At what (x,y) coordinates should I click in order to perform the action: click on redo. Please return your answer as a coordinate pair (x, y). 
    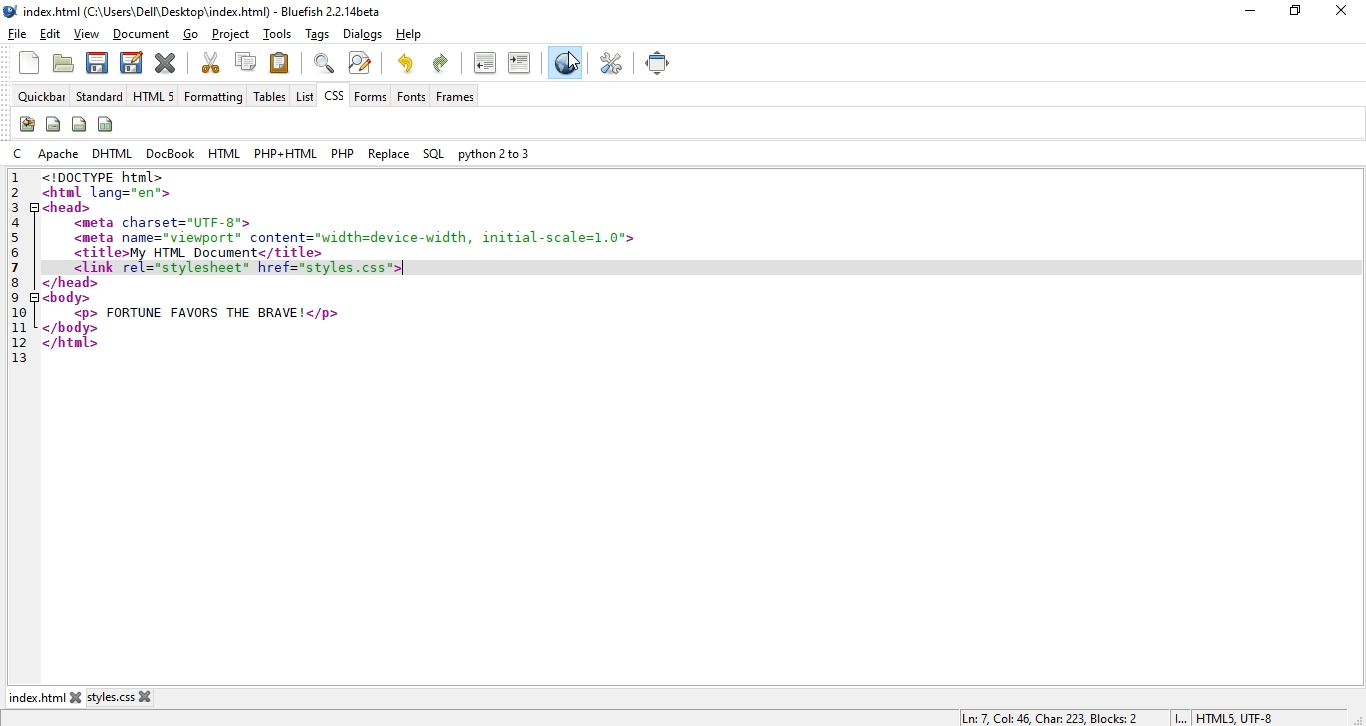
    Looking at the image, I should click on (405, 62).